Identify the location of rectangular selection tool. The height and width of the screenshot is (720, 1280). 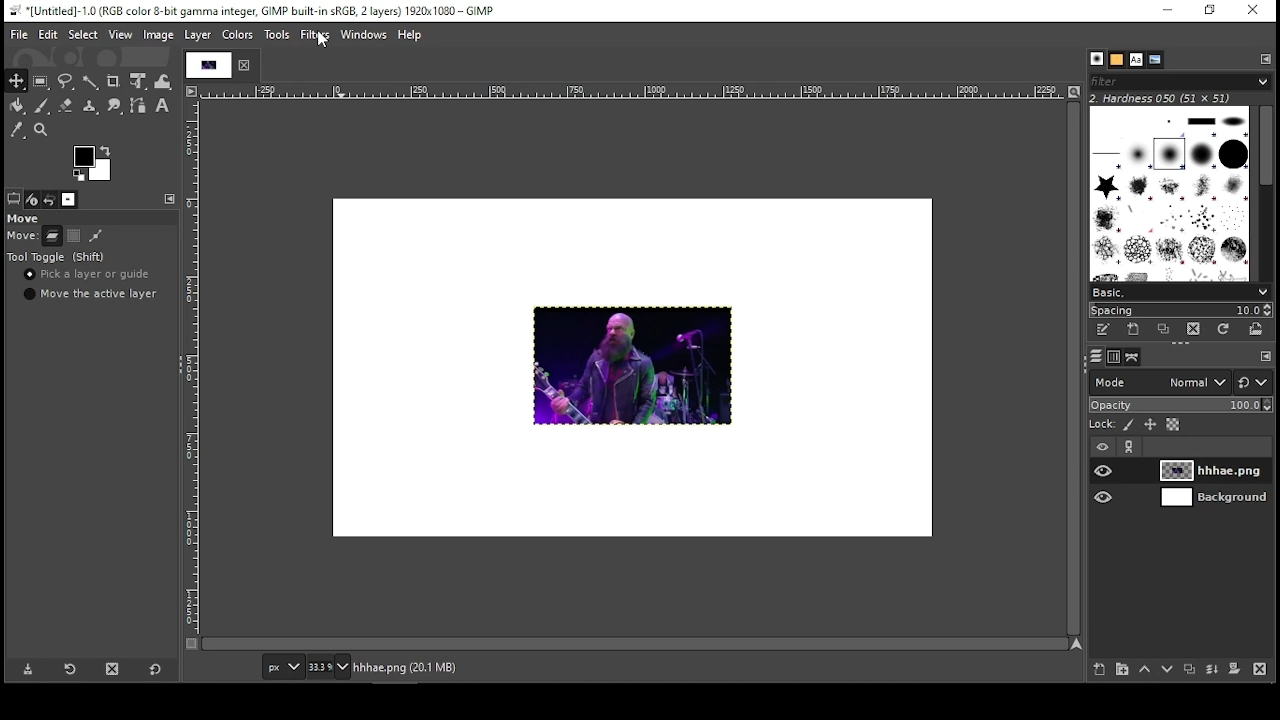
(40, 80).